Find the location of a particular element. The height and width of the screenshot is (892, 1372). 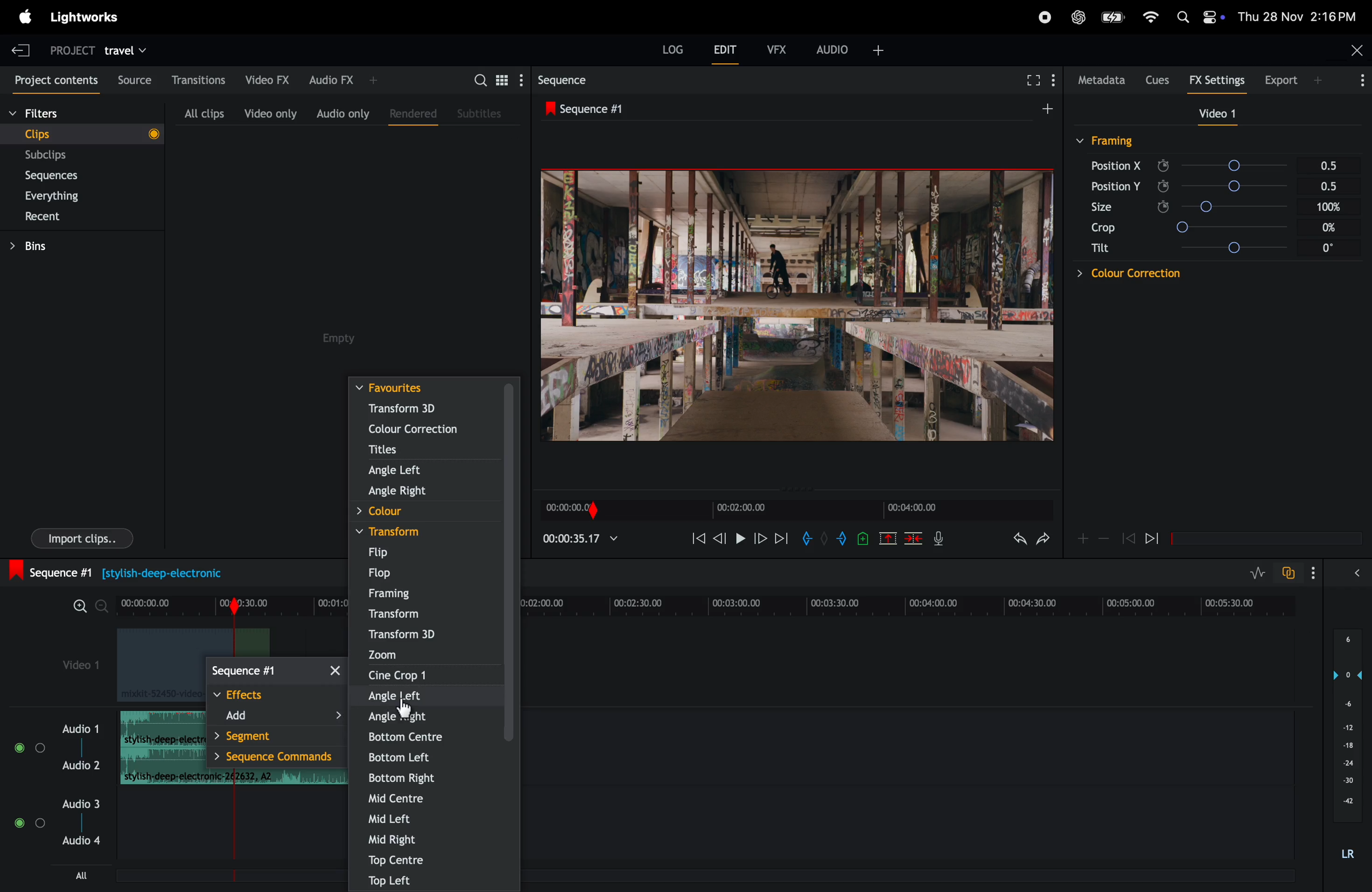

colour correction is located at coordinates (420, 429).